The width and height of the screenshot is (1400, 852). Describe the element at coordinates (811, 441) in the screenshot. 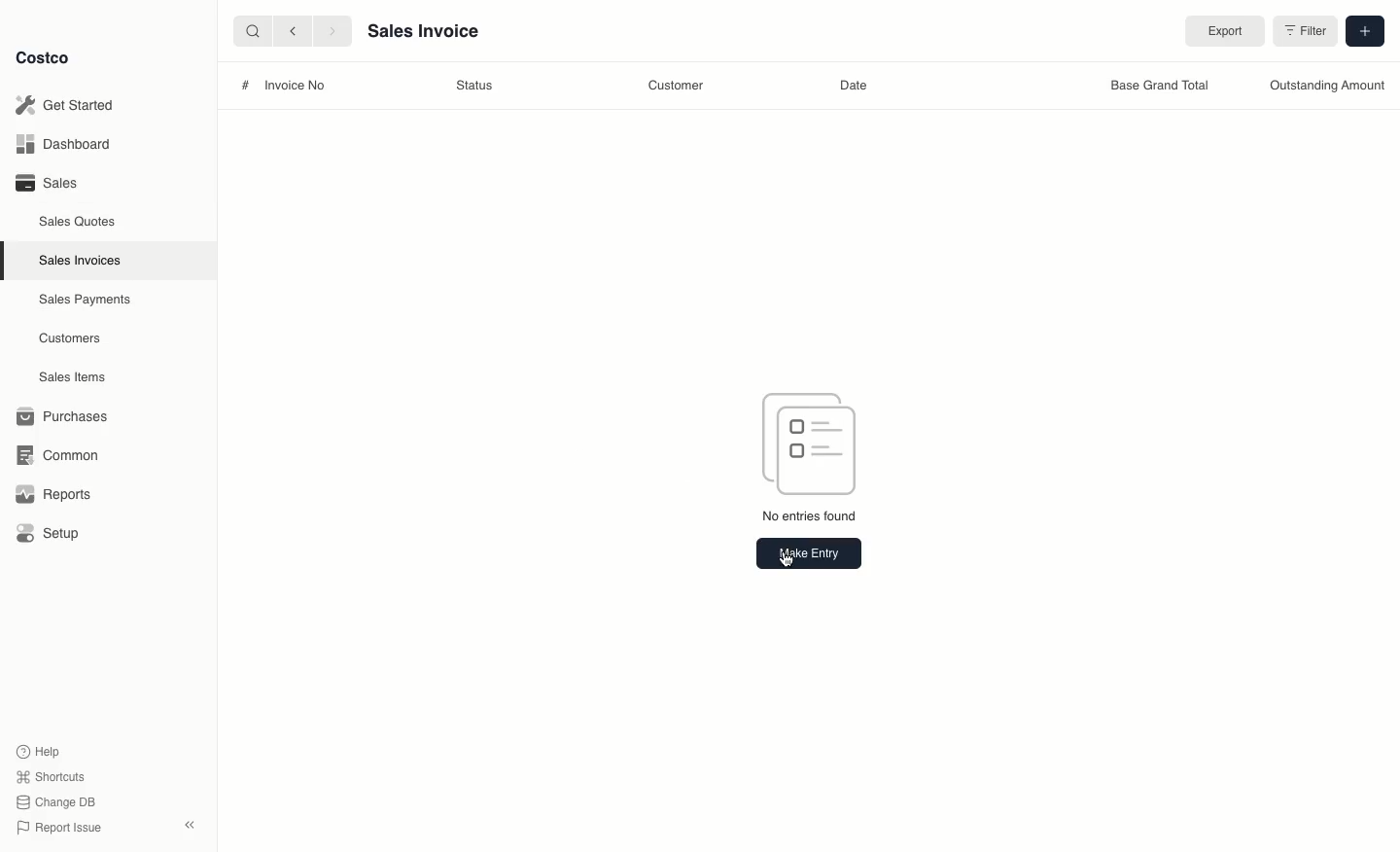

I see `Emblem` at that location.